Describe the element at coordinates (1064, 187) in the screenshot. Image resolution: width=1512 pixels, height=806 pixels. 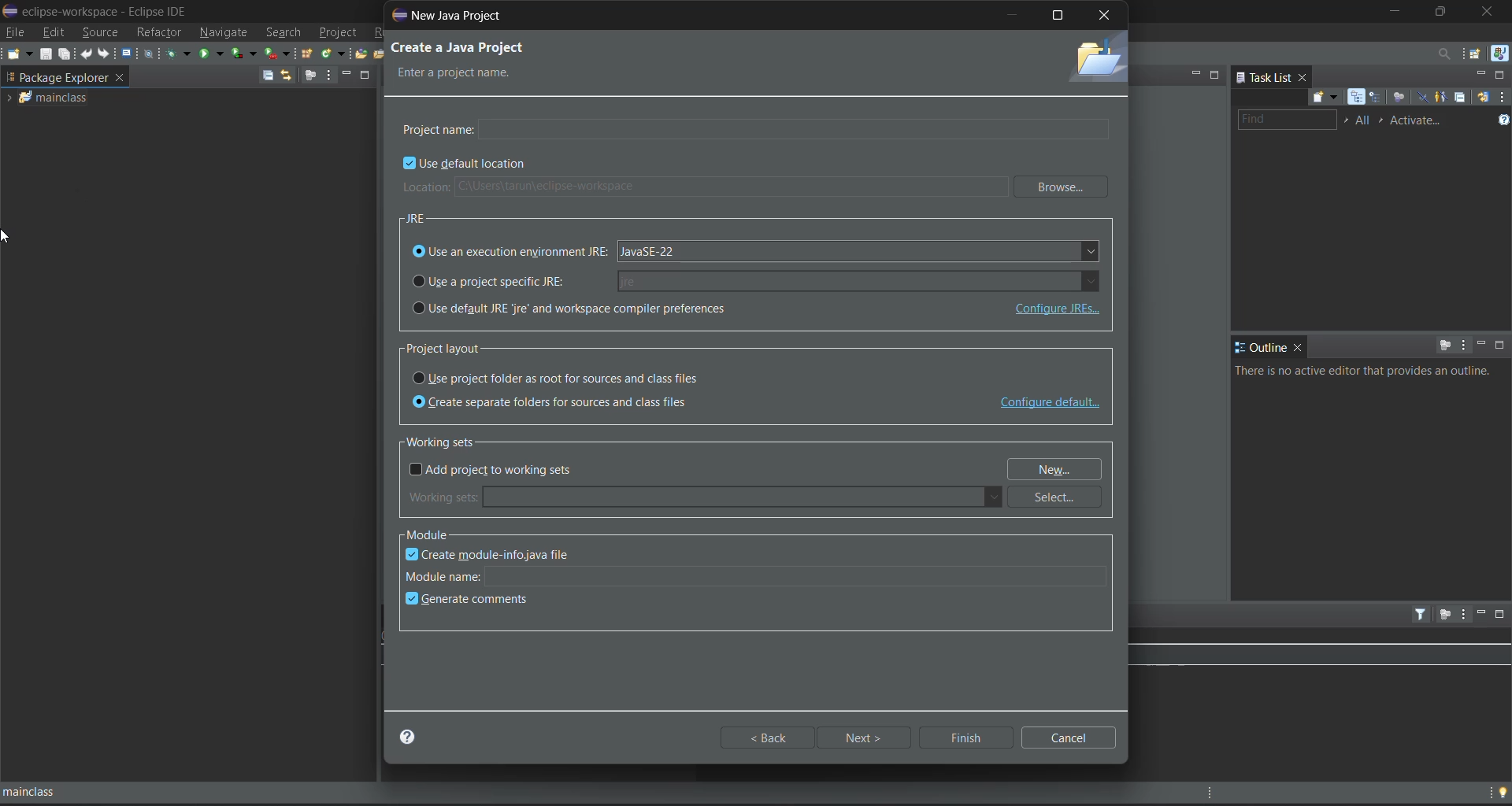
I see `browse` at that location.